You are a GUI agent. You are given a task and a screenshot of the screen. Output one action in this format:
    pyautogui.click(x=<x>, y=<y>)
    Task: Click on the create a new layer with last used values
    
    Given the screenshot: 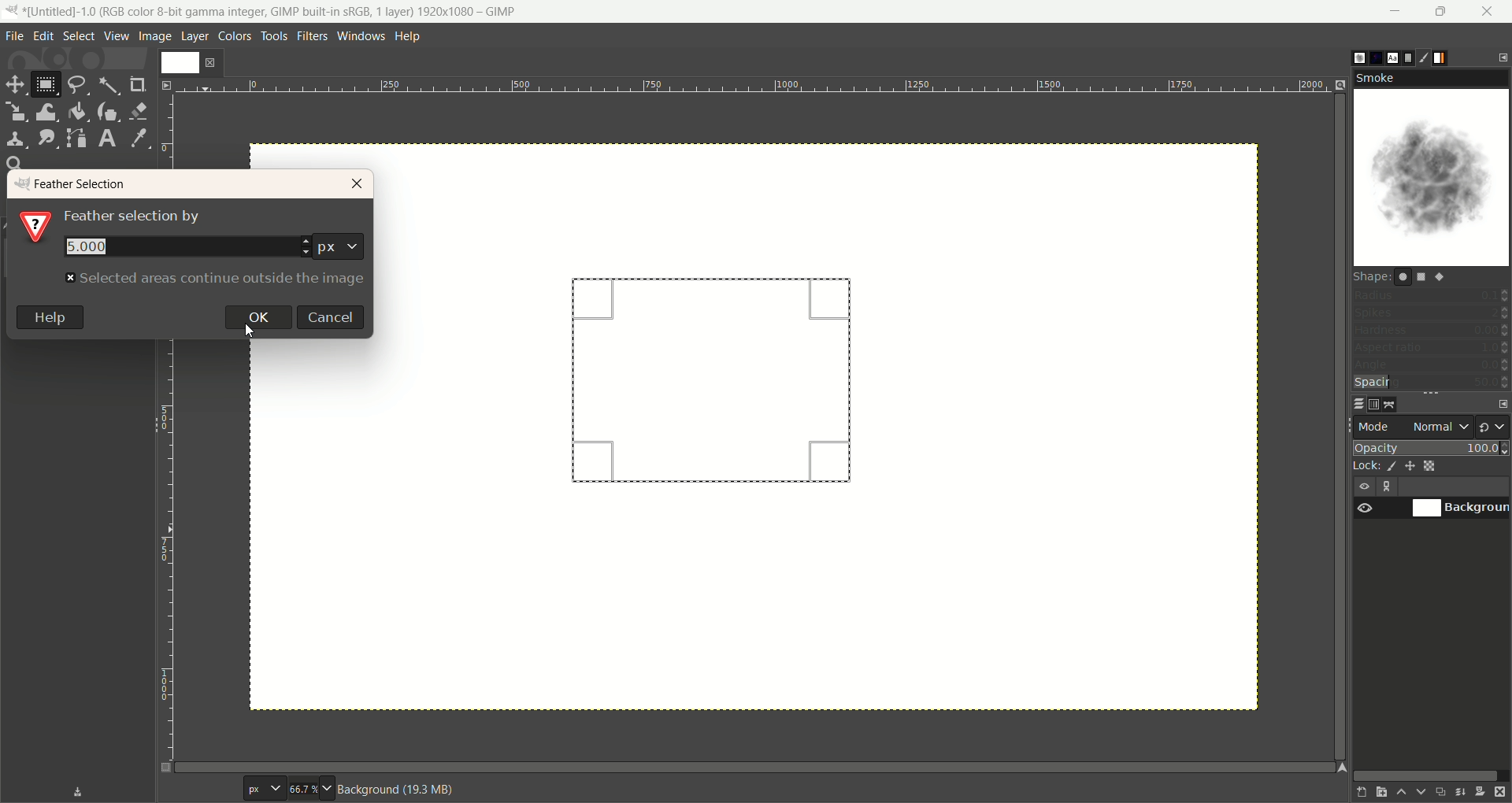 What is the action you would take?
    pyautogui.click(x=1361, y=793)
    